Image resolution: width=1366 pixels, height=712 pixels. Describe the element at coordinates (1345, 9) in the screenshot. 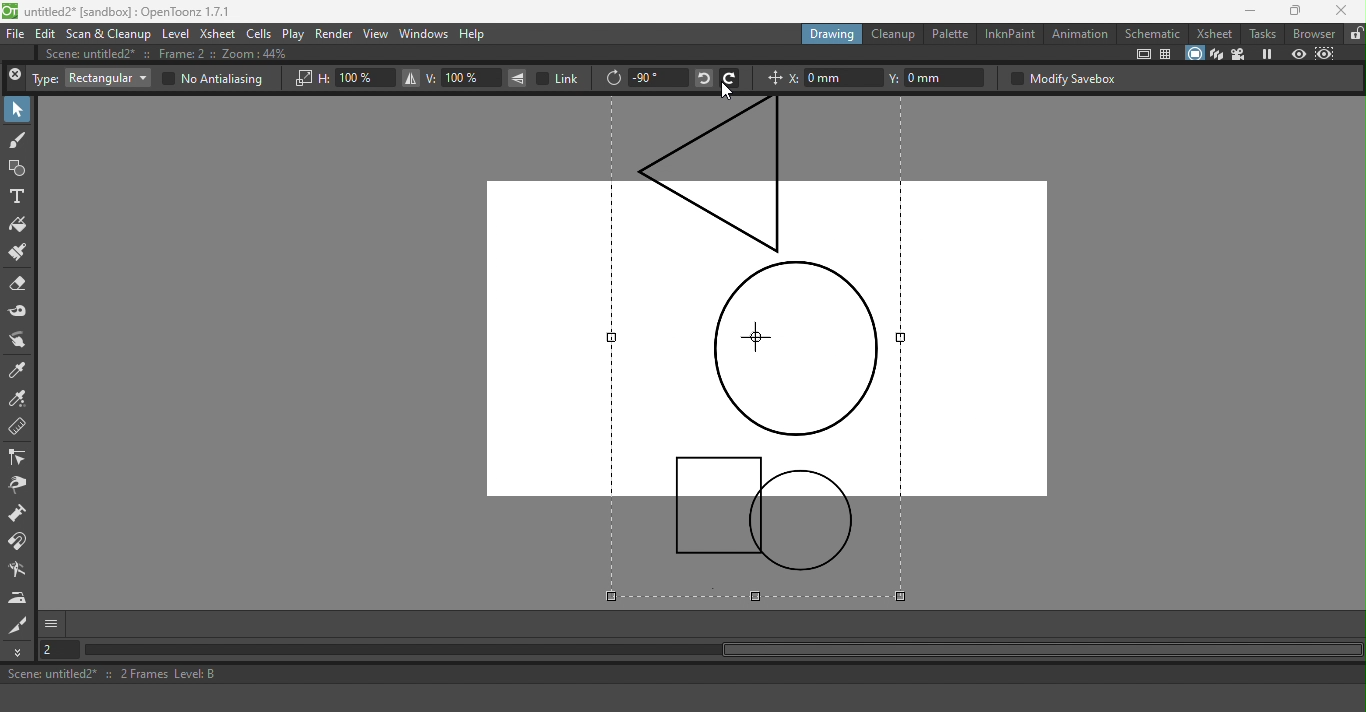

I see `close` at that location.